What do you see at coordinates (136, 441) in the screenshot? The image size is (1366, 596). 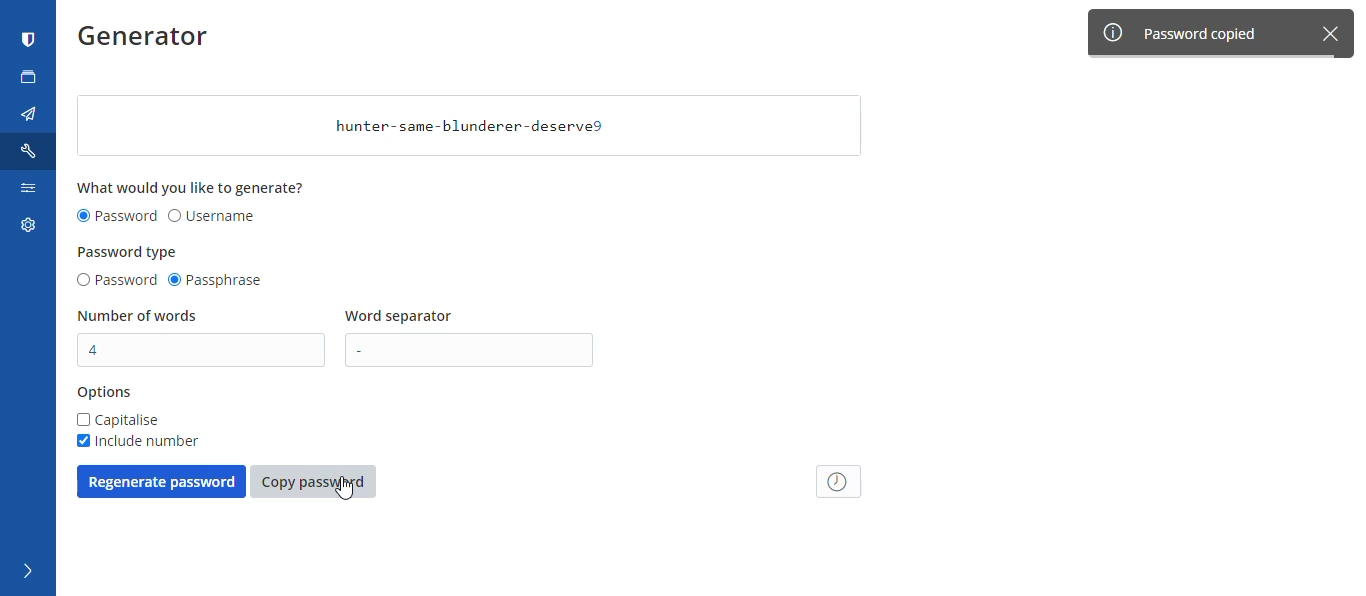 I see `include number` at bounding box center [136, 441].